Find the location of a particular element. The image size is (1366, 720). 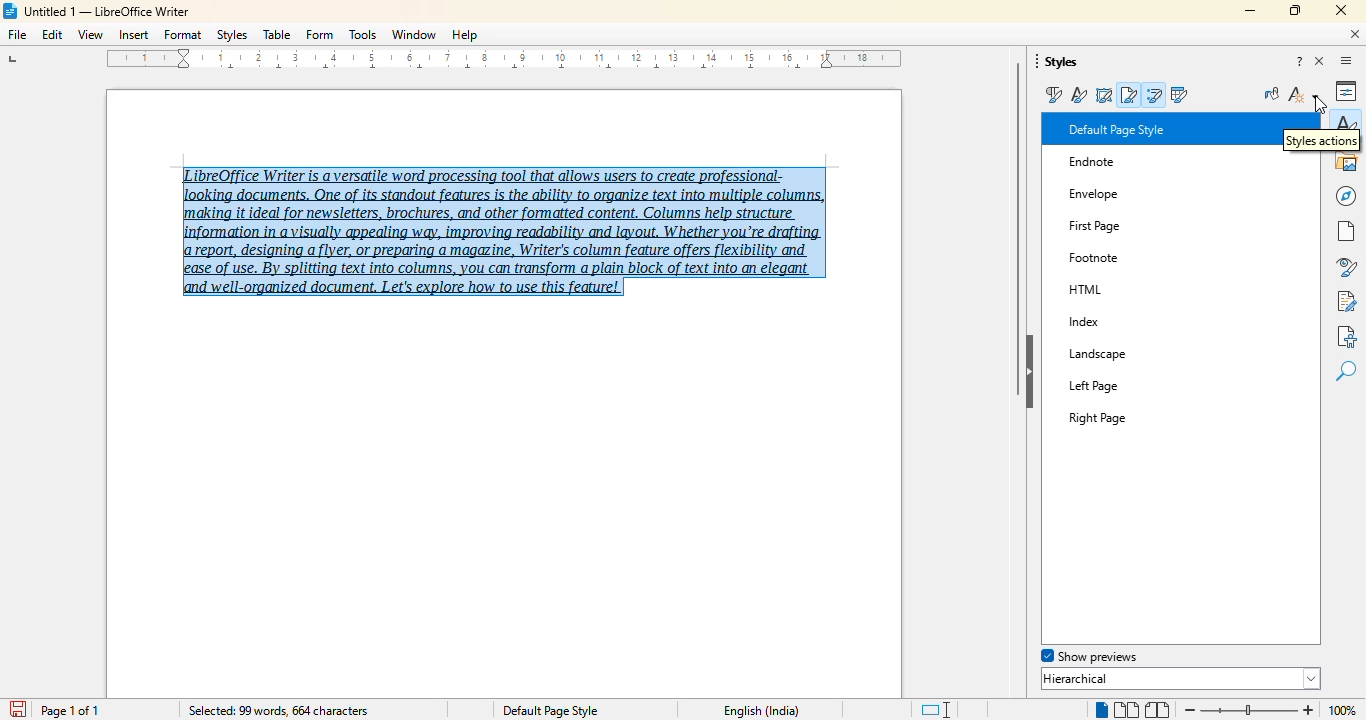

Change zoom level is located at coordinates (1250, 707).